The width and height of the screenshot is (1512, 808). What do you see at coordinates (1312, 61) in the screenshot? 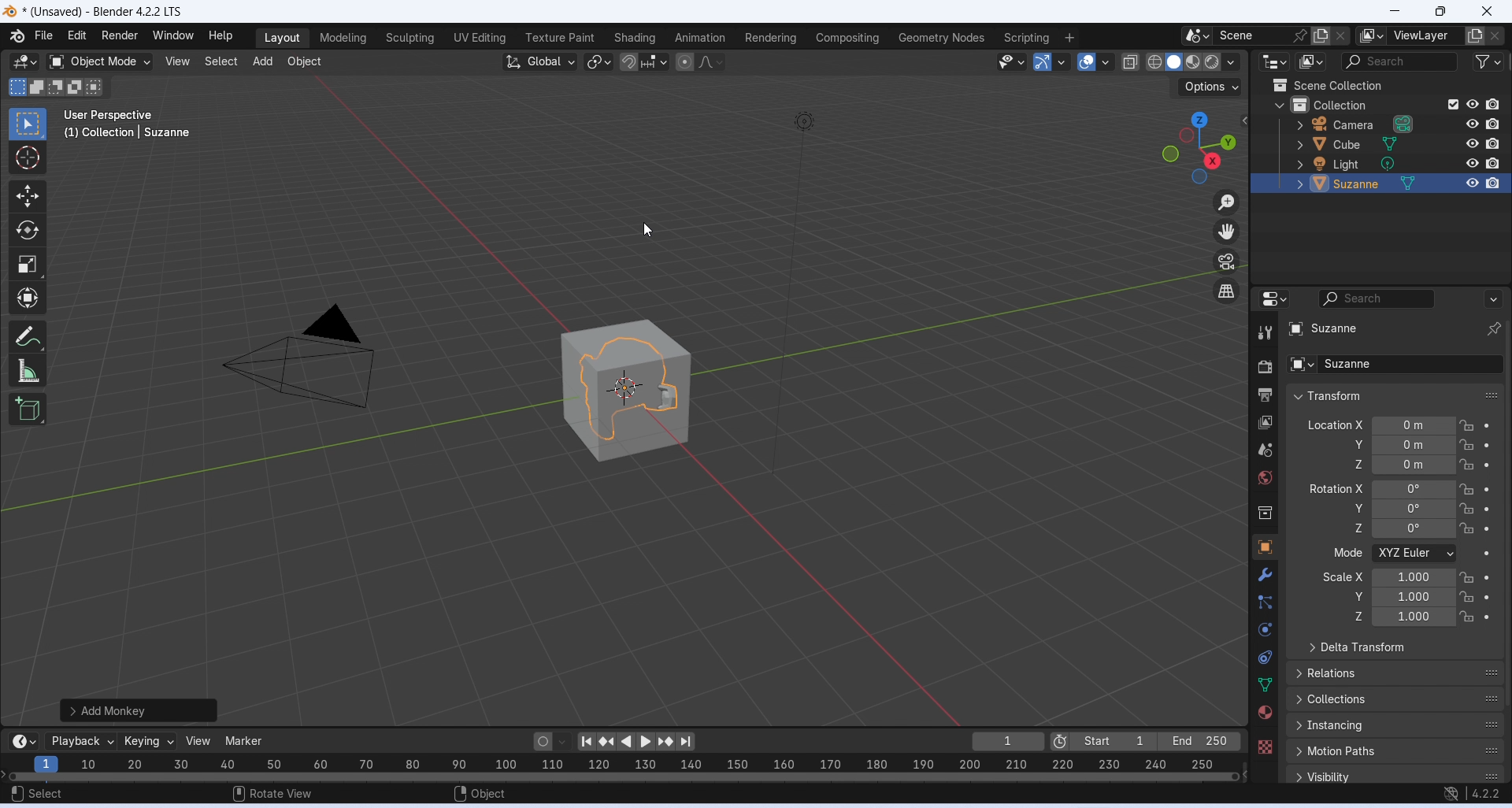
I see `display mode` at bounding box center [1312, 61].